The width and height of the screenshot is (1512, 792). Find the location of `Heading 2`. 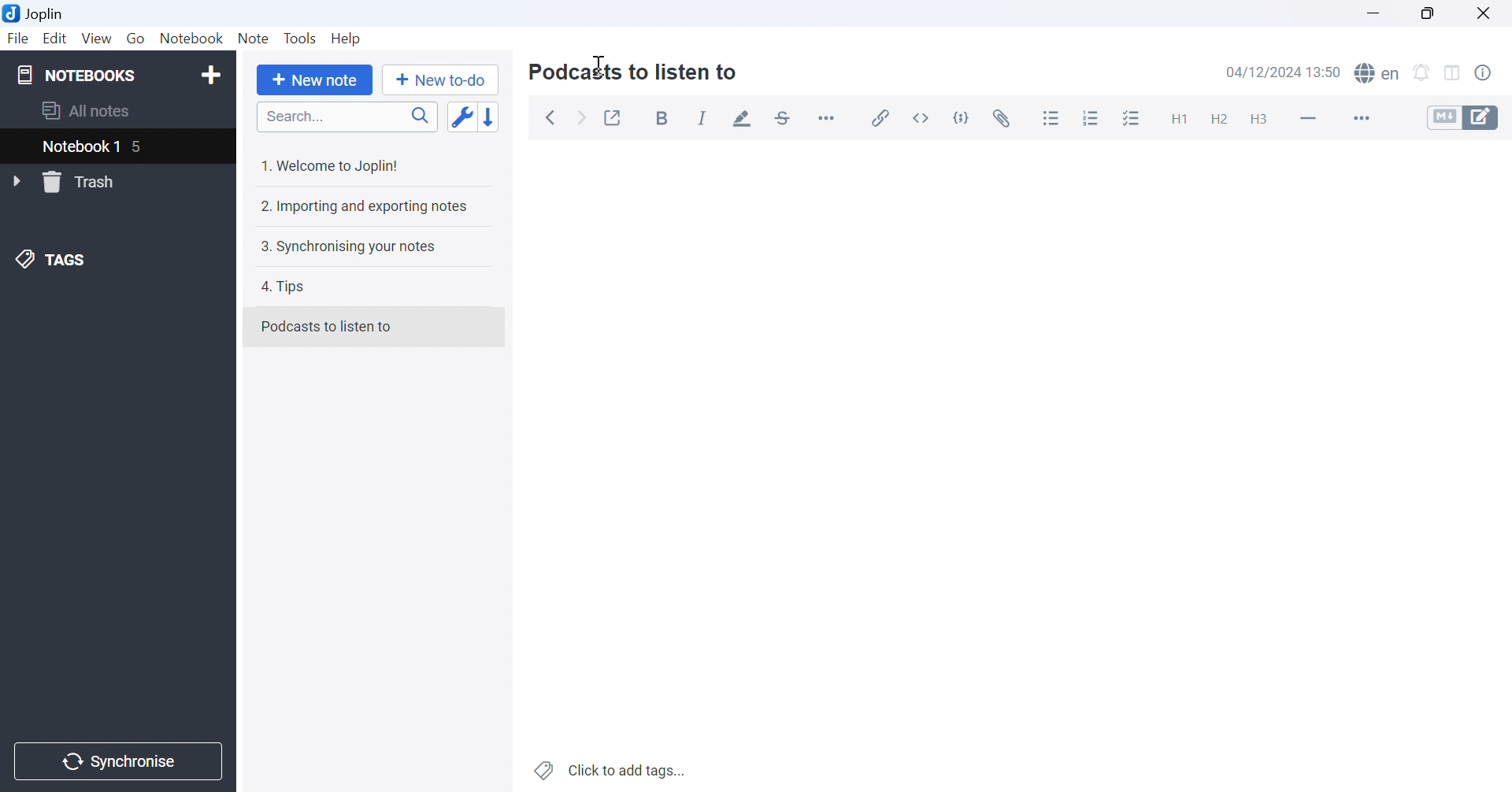

Heading 2 is located at coordinates (1218, 117).